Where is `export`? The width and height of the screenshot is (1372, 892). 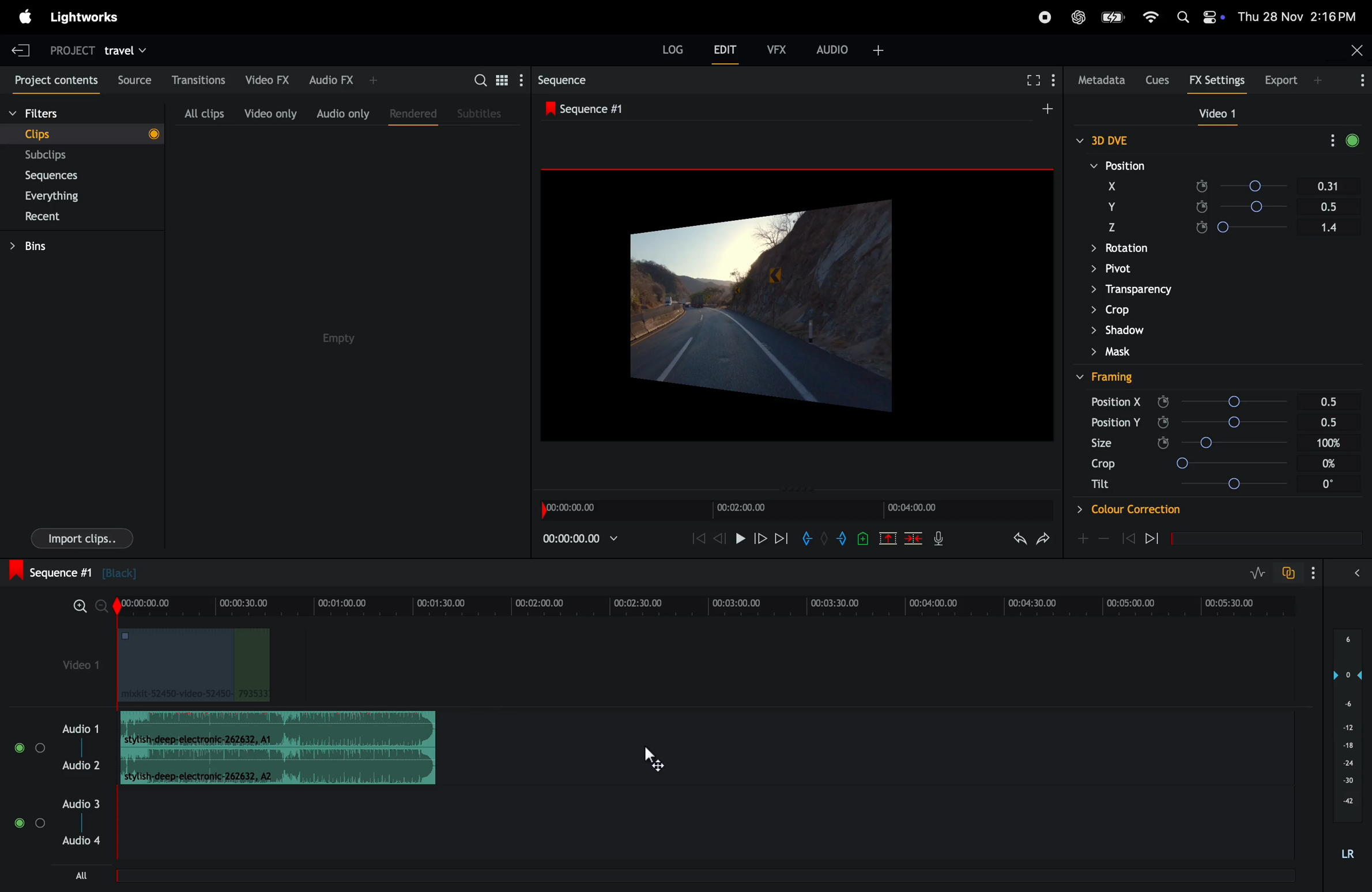
export is located at coordinates (1289, 79).